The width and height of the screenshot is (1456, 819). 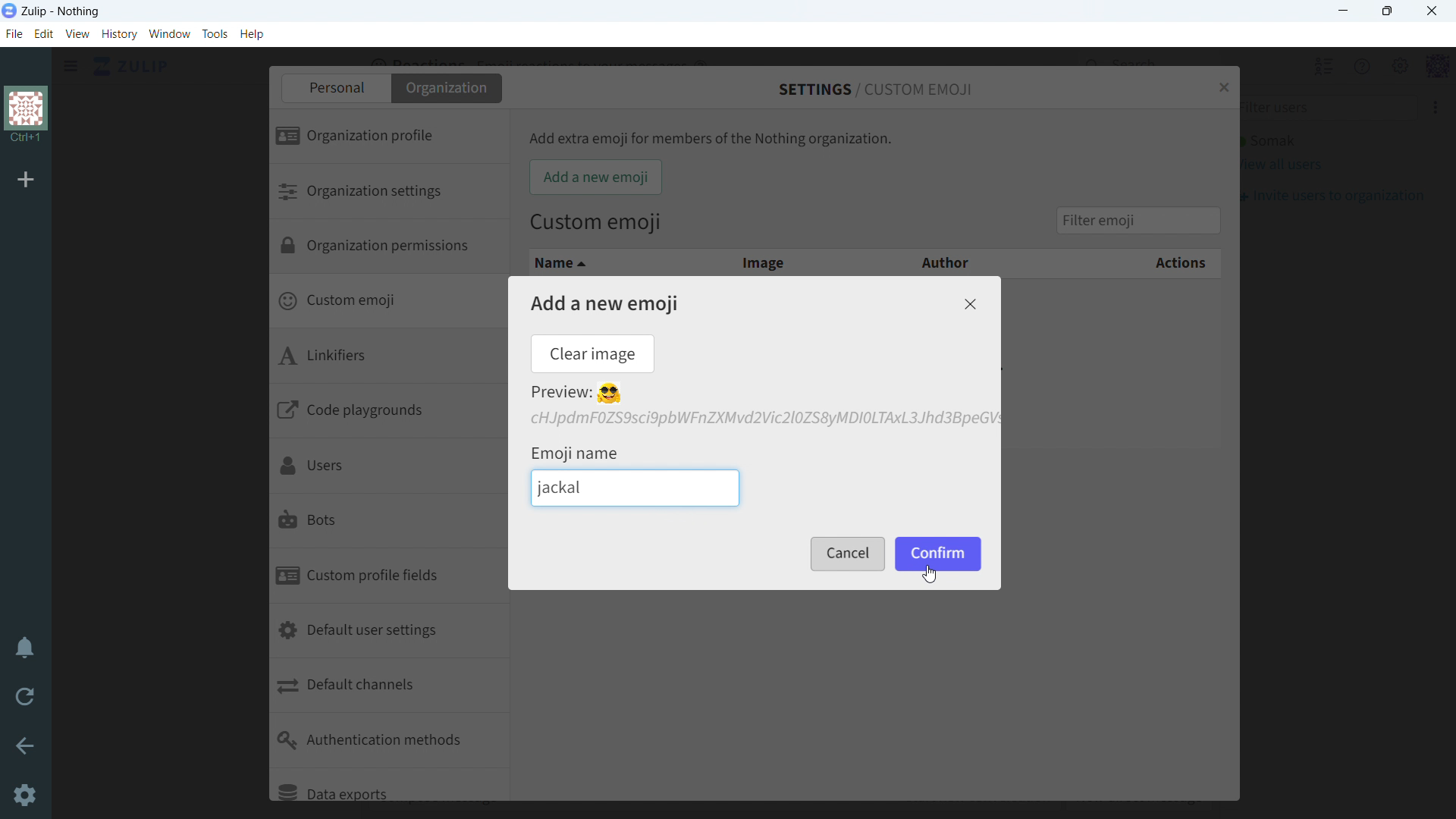 What do you see at coordinates (1127, 264) in the screenshot?
I see `actions` at bounding box center [1127, 264].